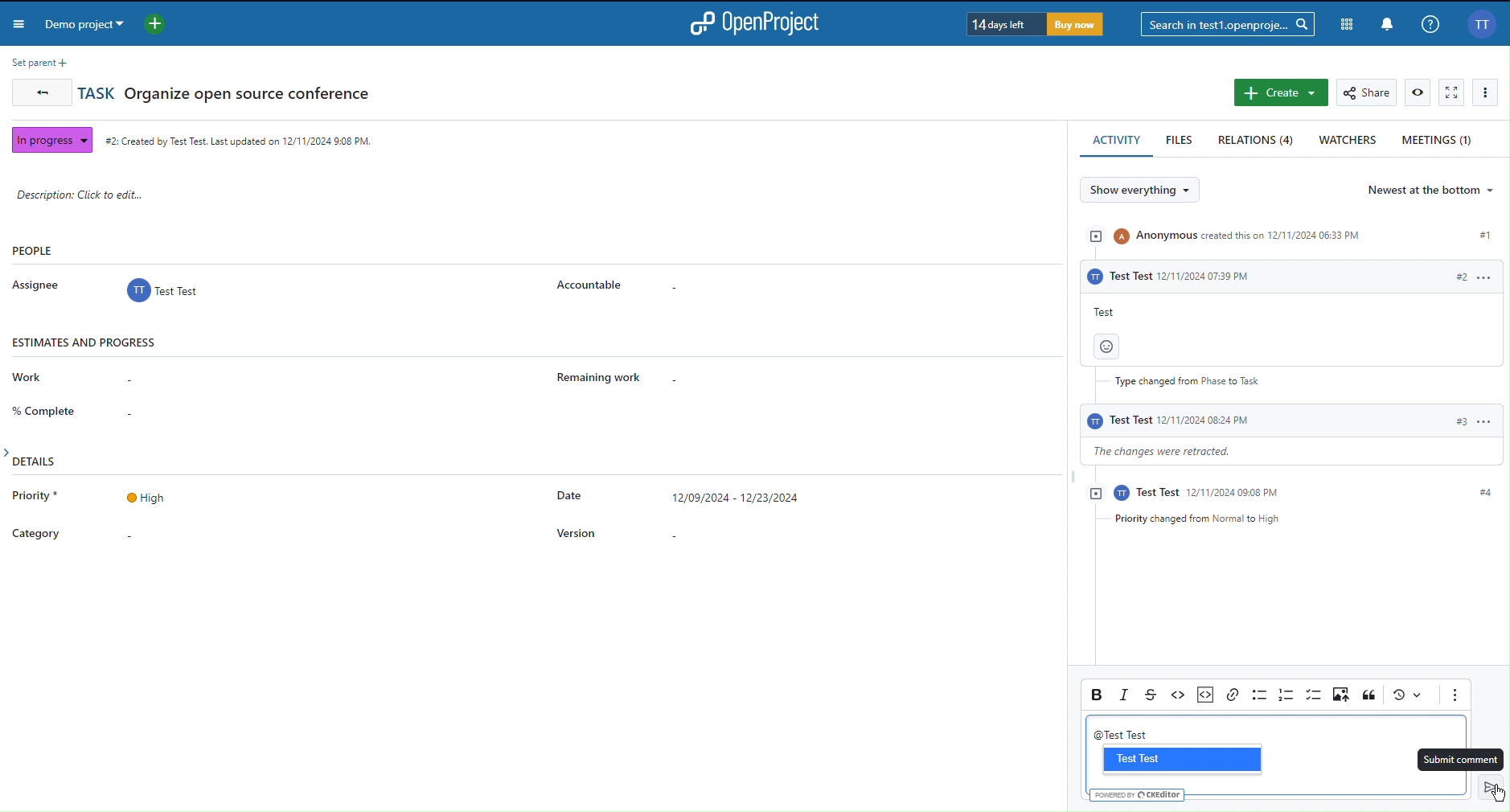  What do you see at coordinates (1452, 93) in the screenshot?
I see `Fullscreen` at bounding box center [1452, 93].